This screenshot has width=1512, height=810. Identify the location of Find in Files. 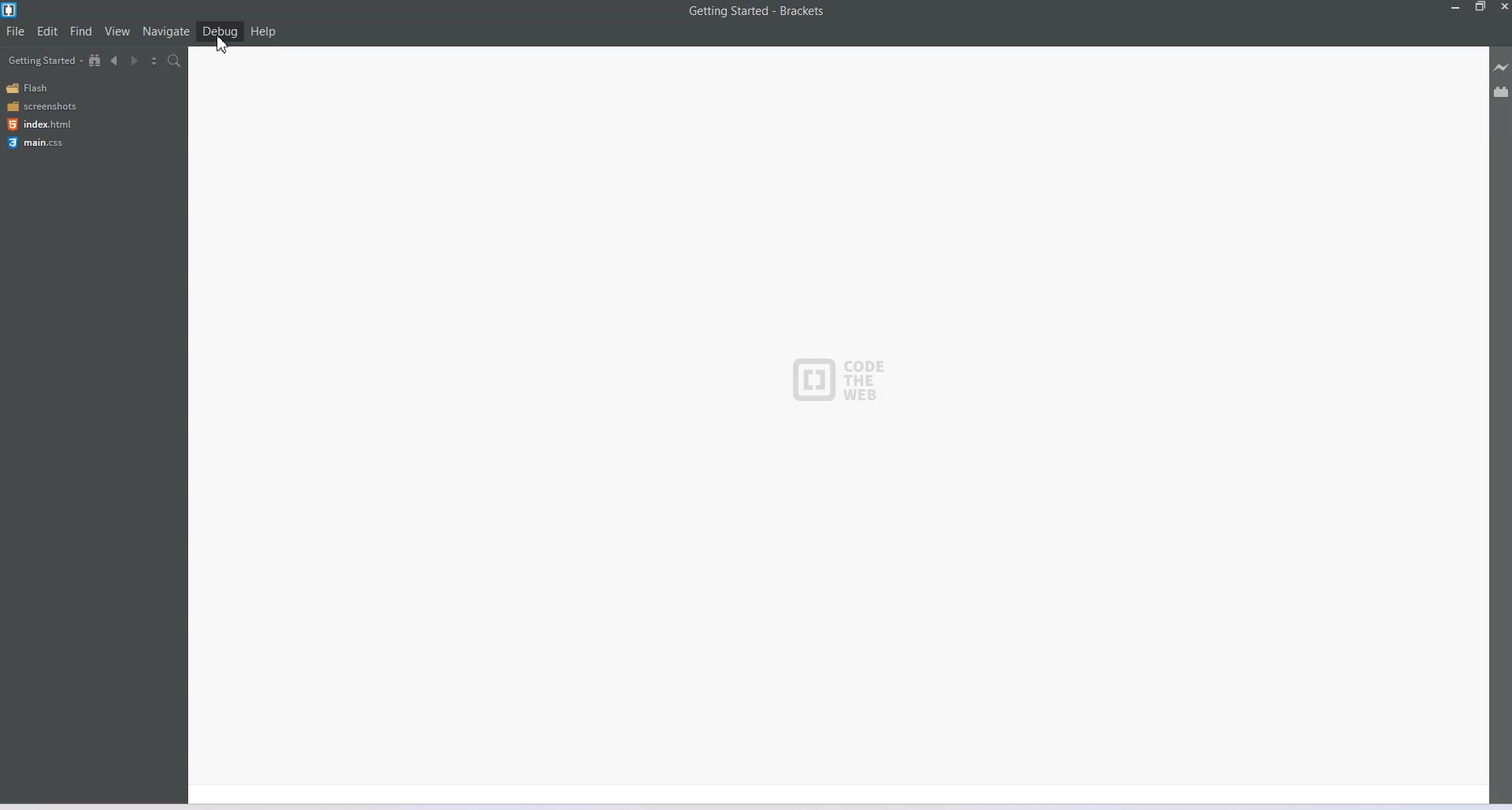
(176, 61).